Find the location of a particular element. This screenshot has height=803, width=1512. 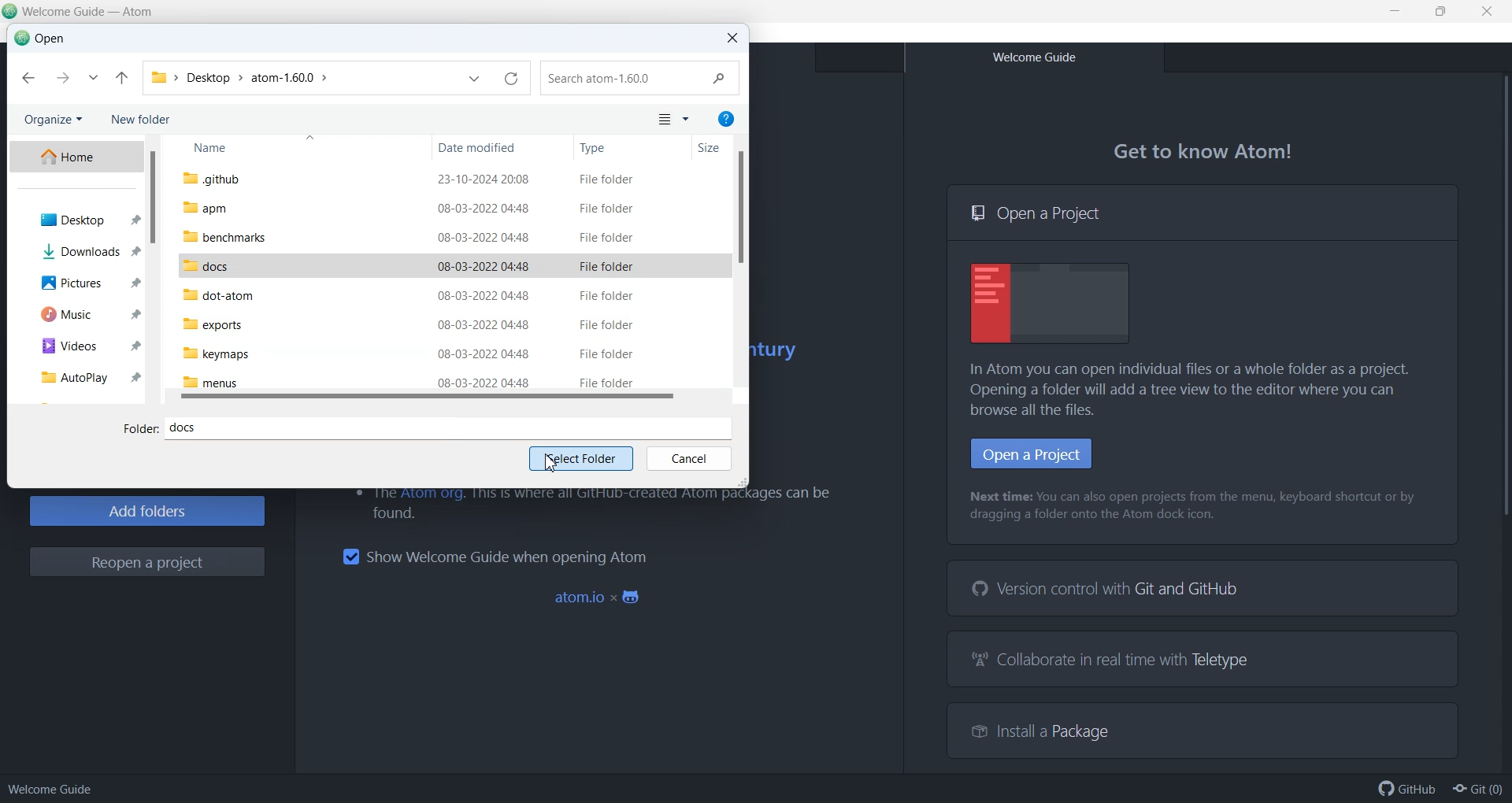

apm is located at coordinates (206, 209).